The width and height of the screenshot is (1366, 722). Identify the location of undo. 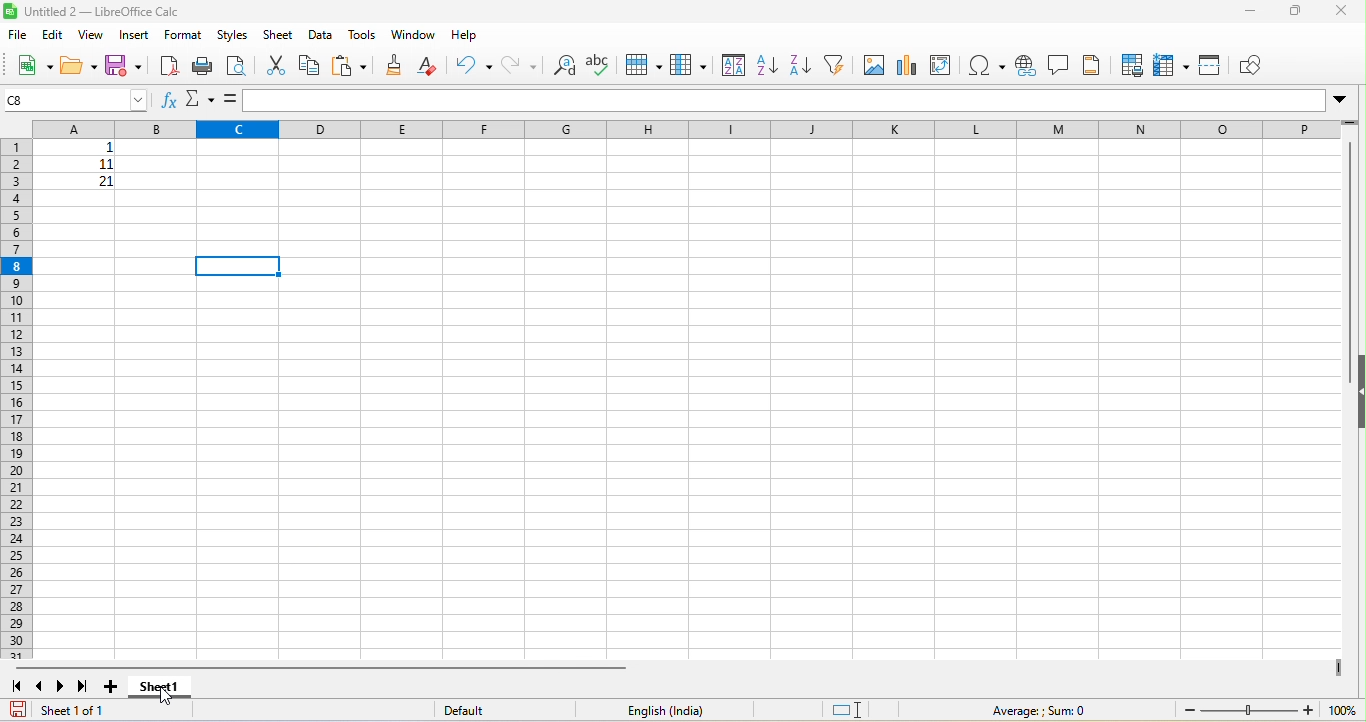
(474, 66).